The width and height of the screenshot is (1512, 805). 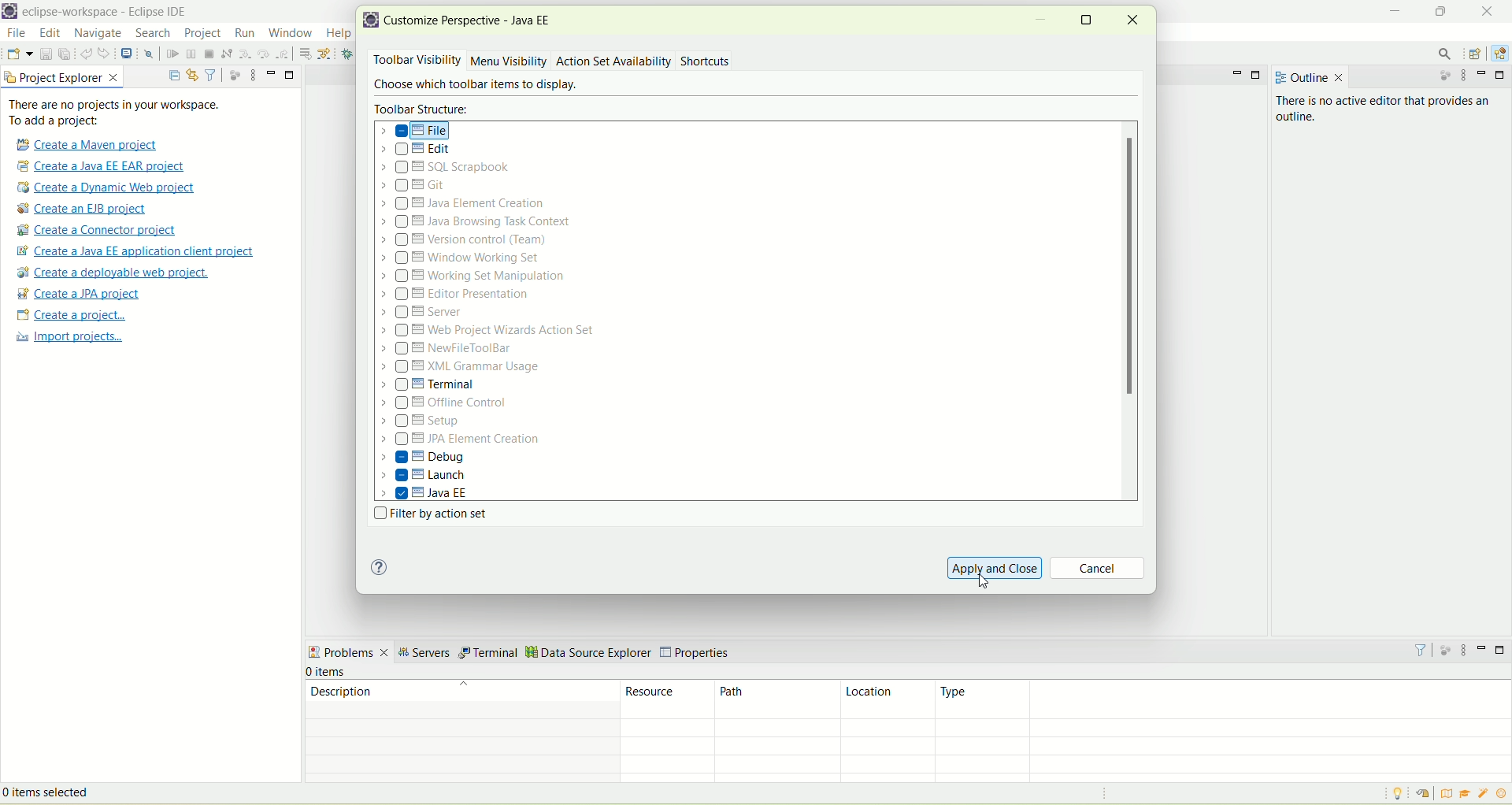 What do you see at coordinates (414, 61) in the screenshot?
I see `toolbar visibility` at bounding box center [414, 61].